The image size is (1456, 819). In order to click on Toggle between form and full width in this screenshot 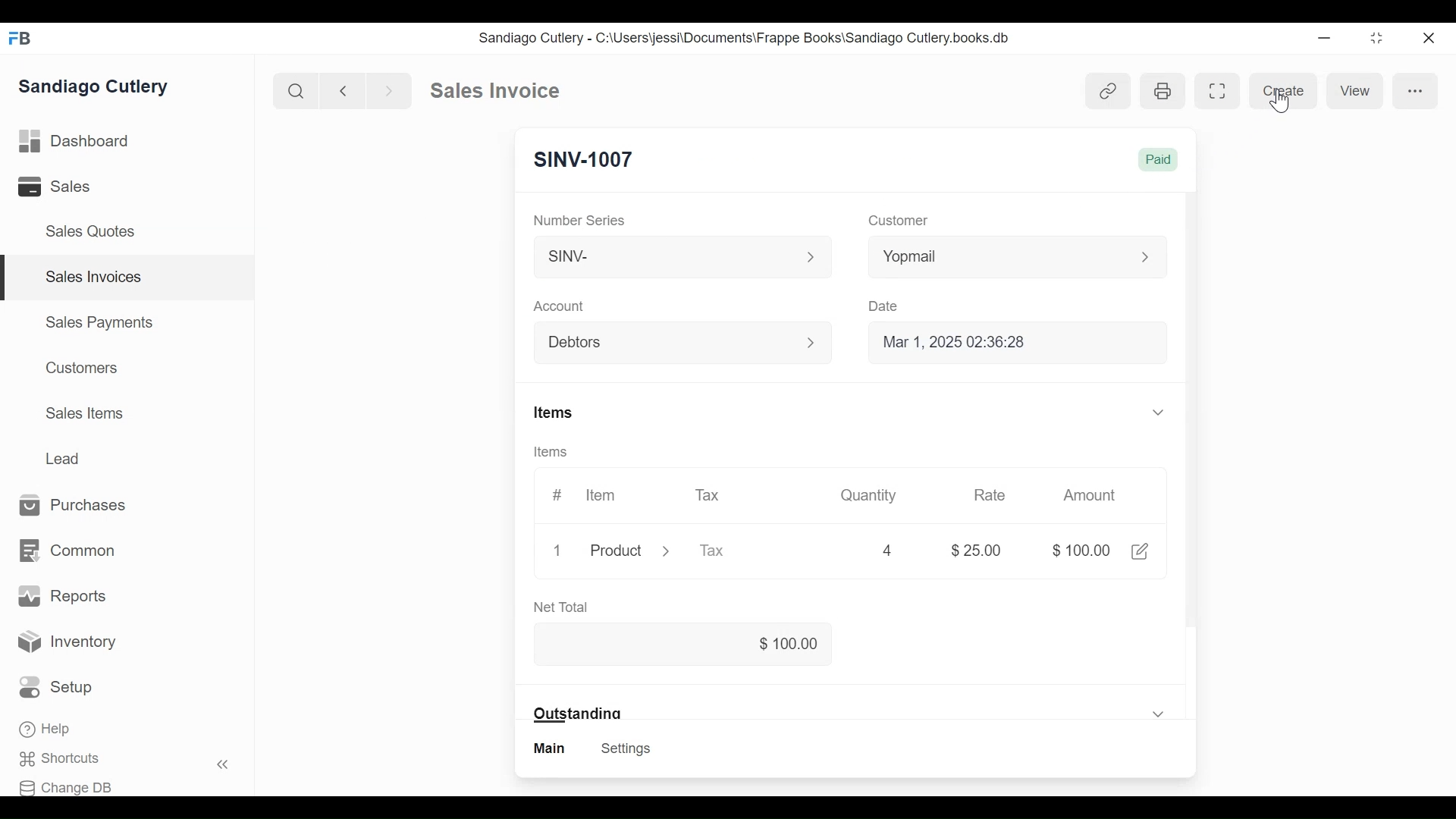, I will do `click(1219, 91)`.